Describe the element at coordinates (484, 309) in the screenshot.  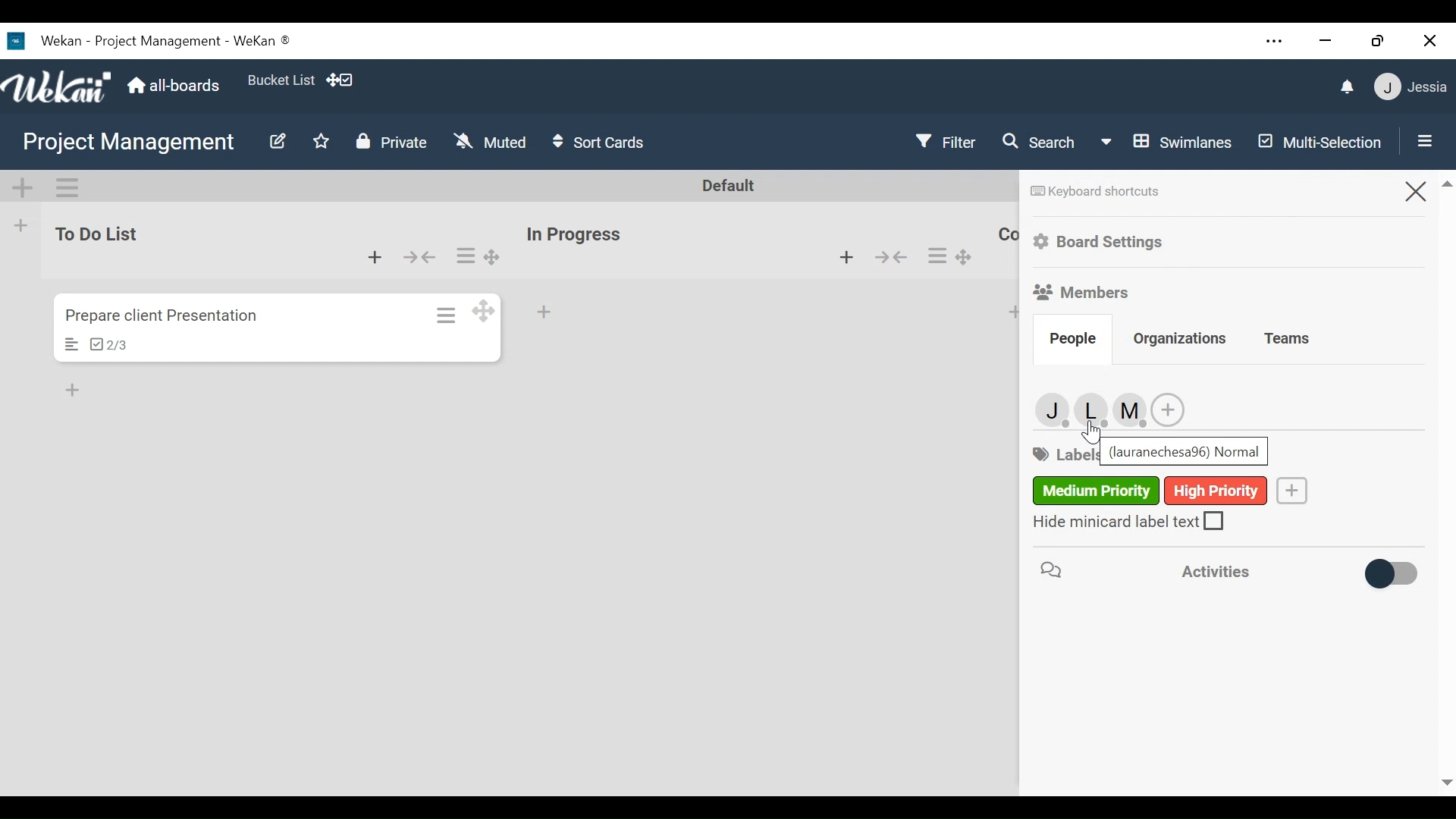
I see `Desktop drag handles` at that location.